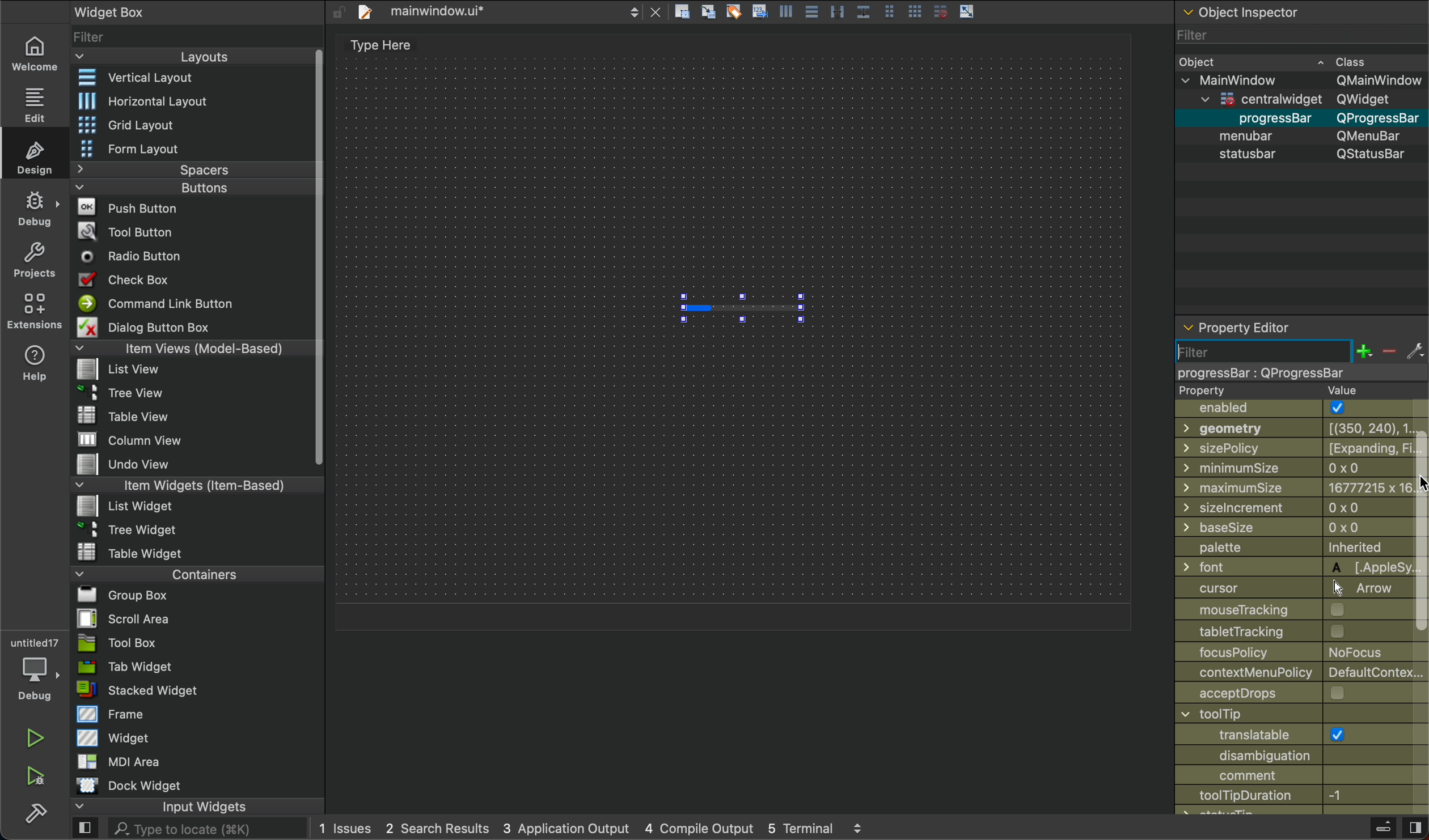  What do you see at coordinates (184, 101) in the screenshot?
I see `Horizontal Layout` at bounding box center [184, 101].